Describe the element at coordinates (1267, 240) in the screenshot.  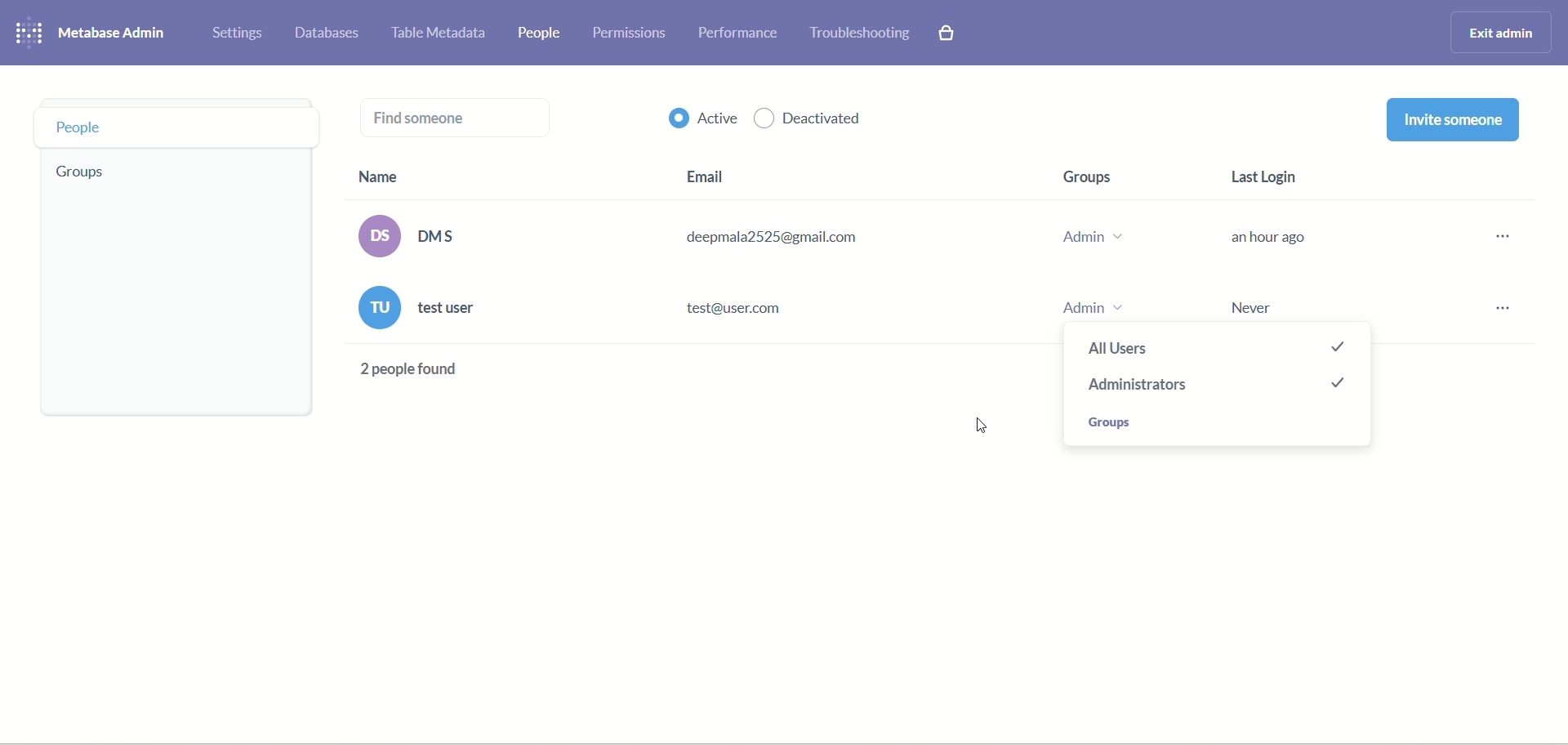
I see `last login` at that location.